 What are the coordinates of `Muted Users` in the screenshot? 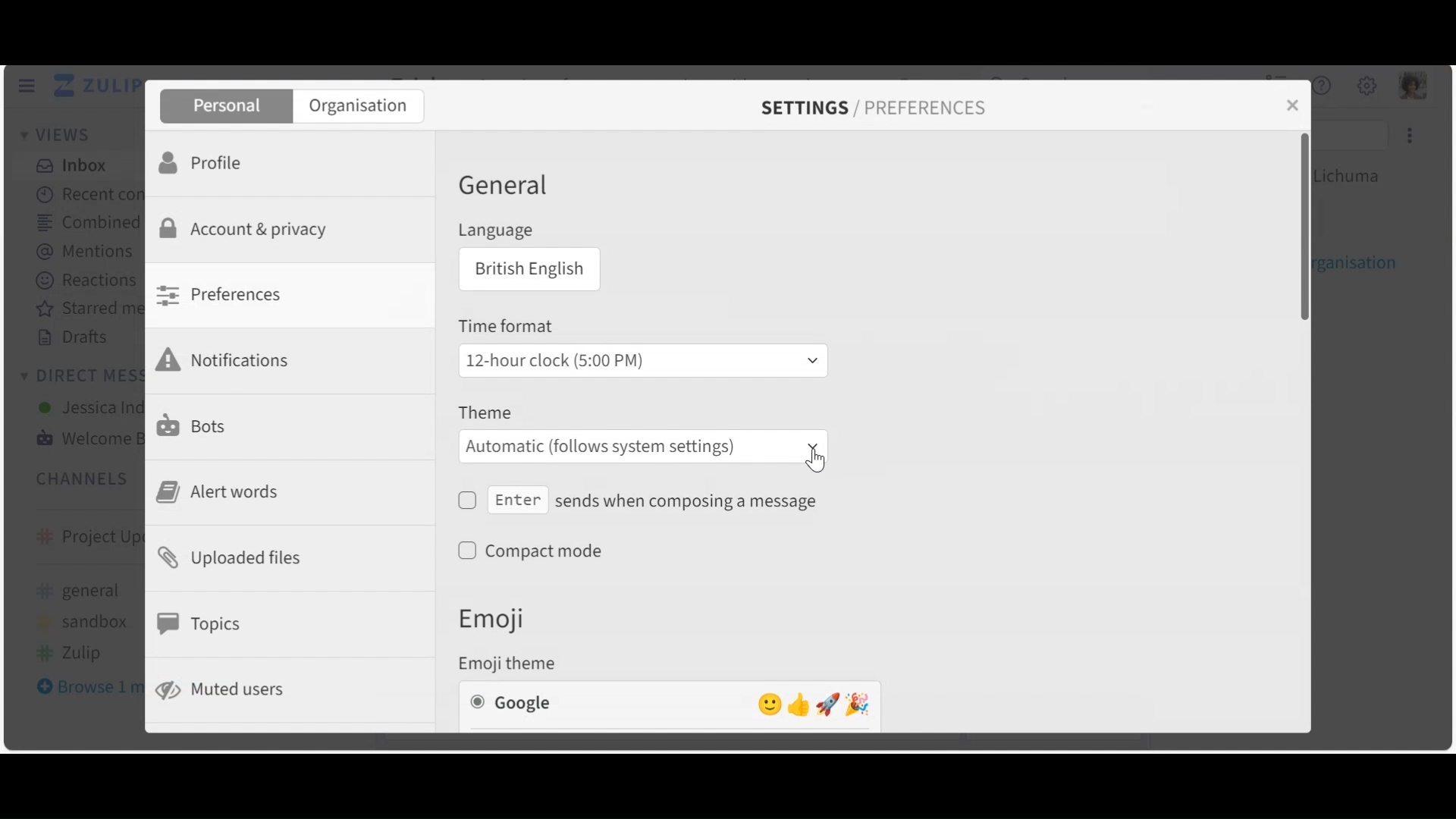 It's located at (231, 689).